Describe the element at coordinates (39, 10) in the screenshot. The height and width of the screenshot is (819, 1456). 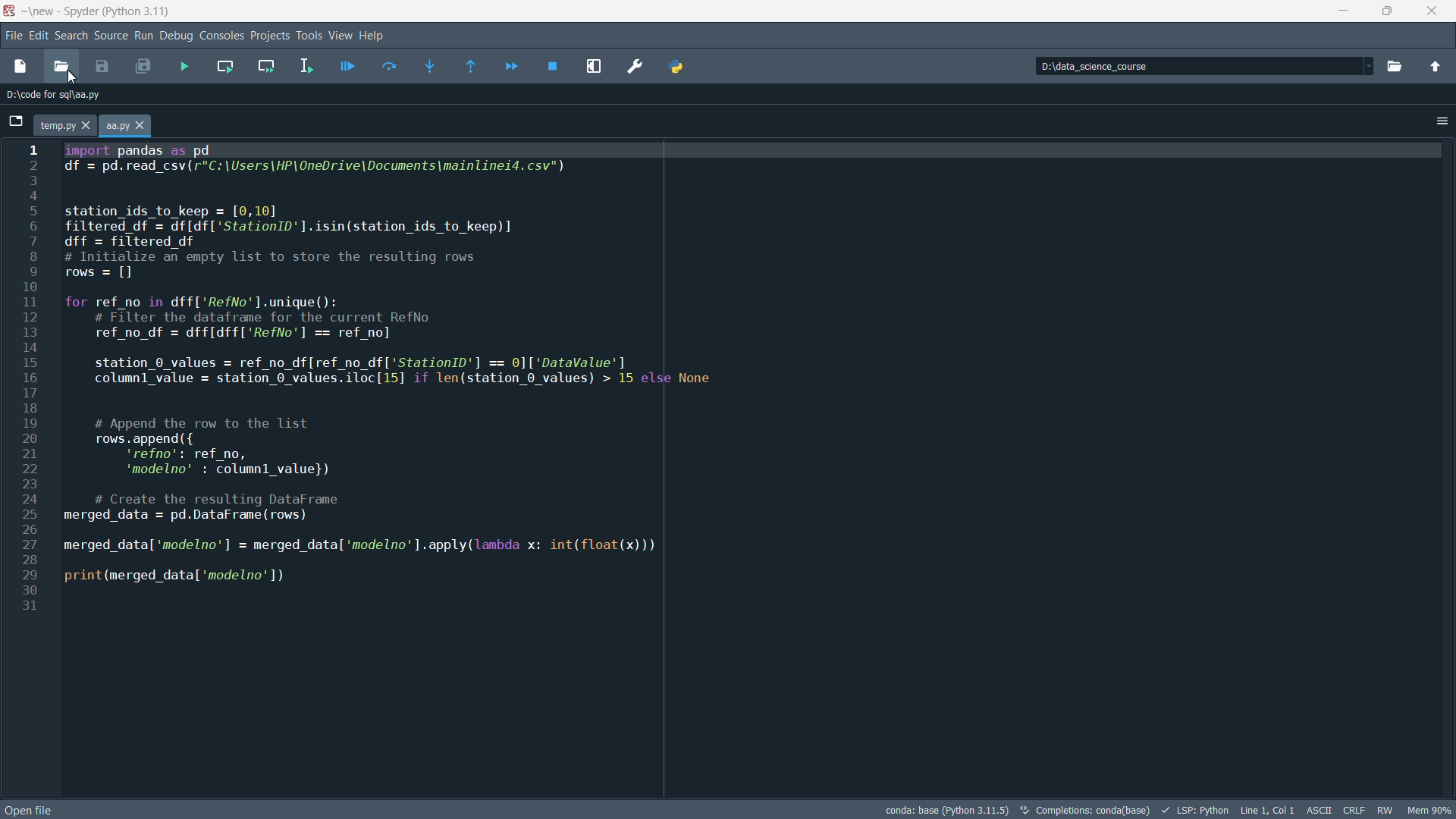
I see `~\new ~` at that location.